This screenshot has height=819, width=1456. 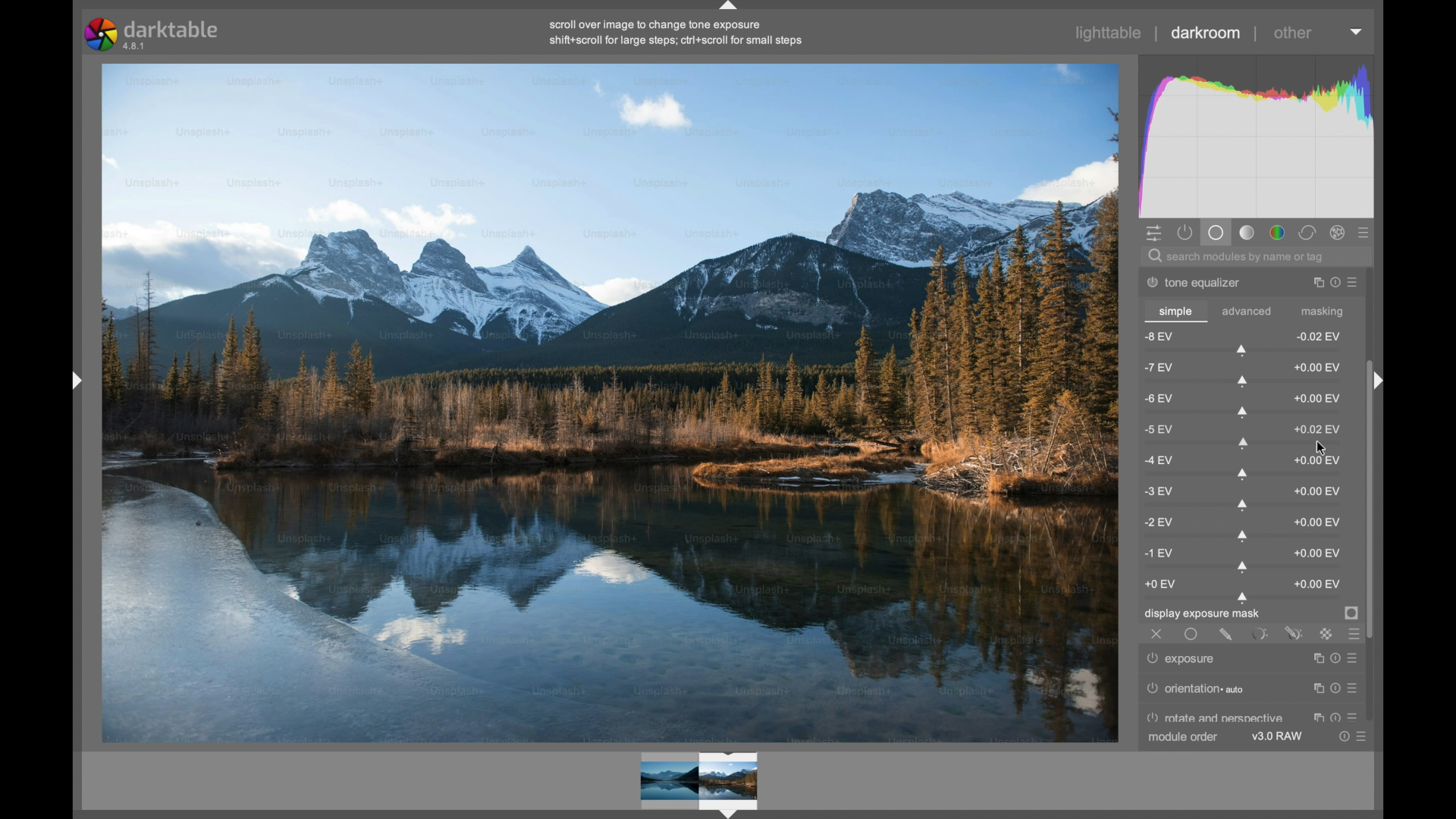 What do you see at coordinates (1191, 635) in the screenshot?
I see `uniformly` at bounding box center [1191, 635].